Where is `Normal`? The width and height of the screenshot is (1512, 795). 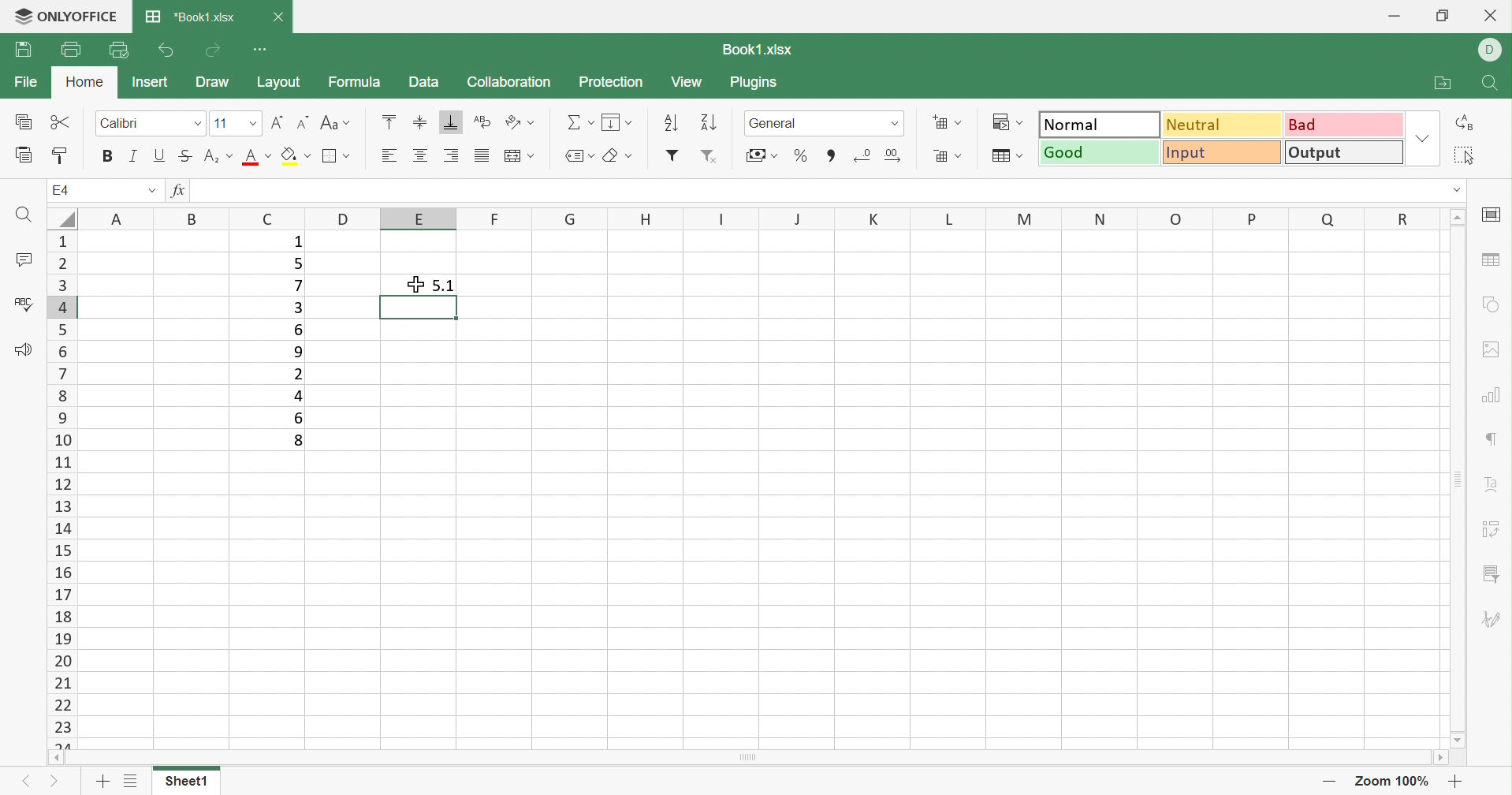
Normal is located at coordinates (1100, 124).